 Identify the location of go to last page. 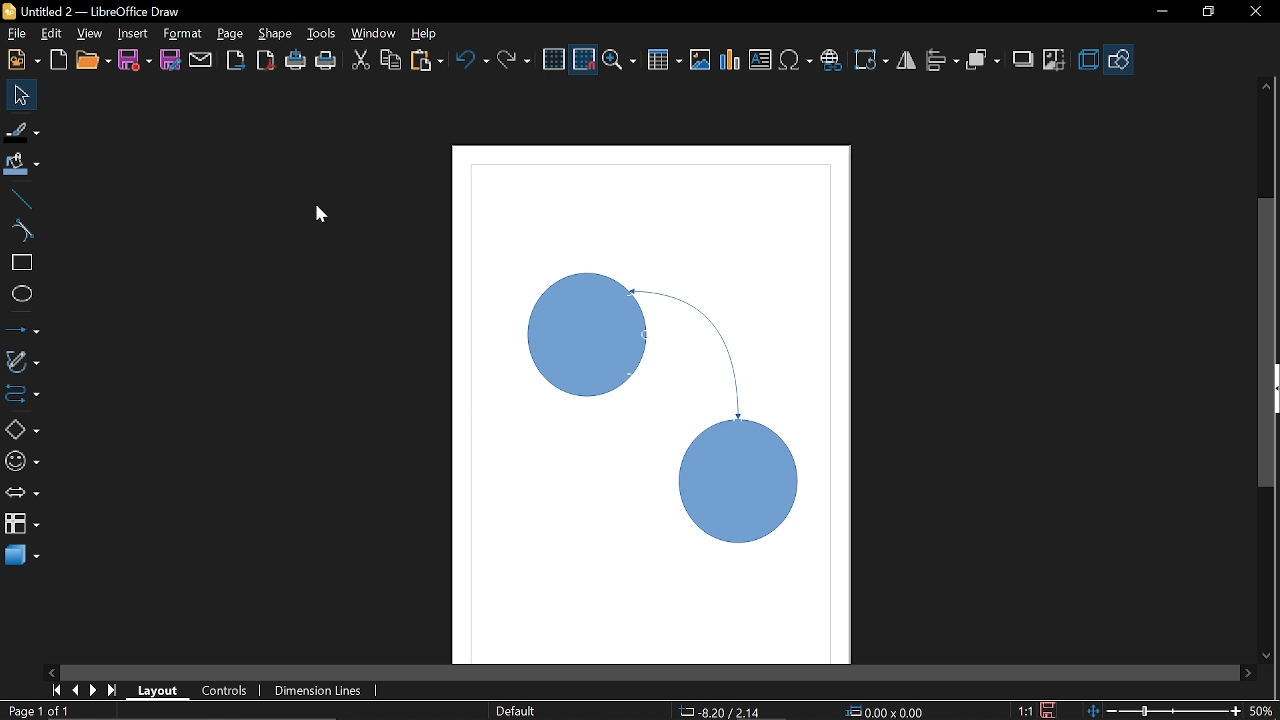
(115, 690).